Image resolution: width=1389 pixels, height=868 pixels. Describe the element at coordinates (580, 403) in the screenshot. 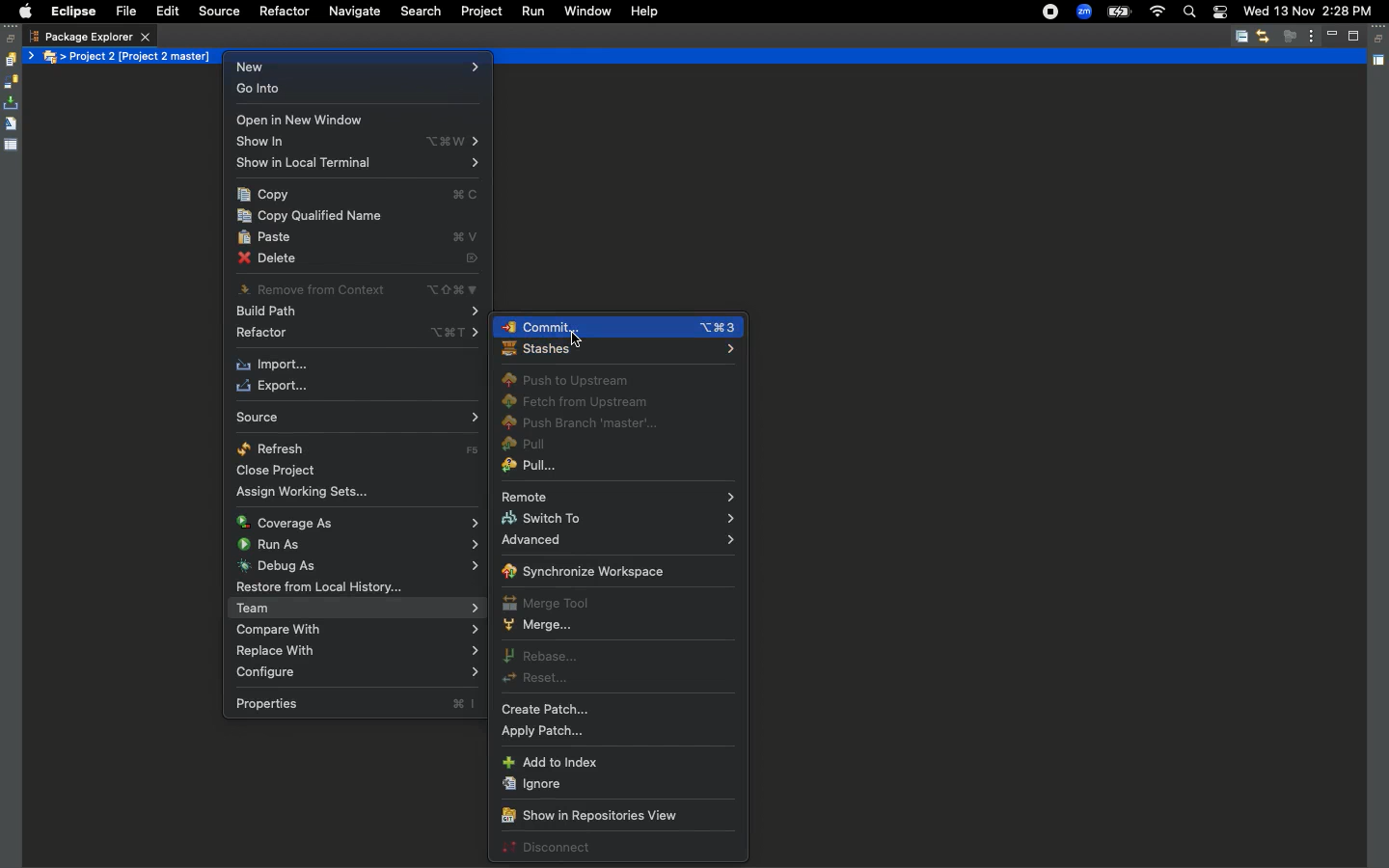

I see `Fetch from upstream` at that location.